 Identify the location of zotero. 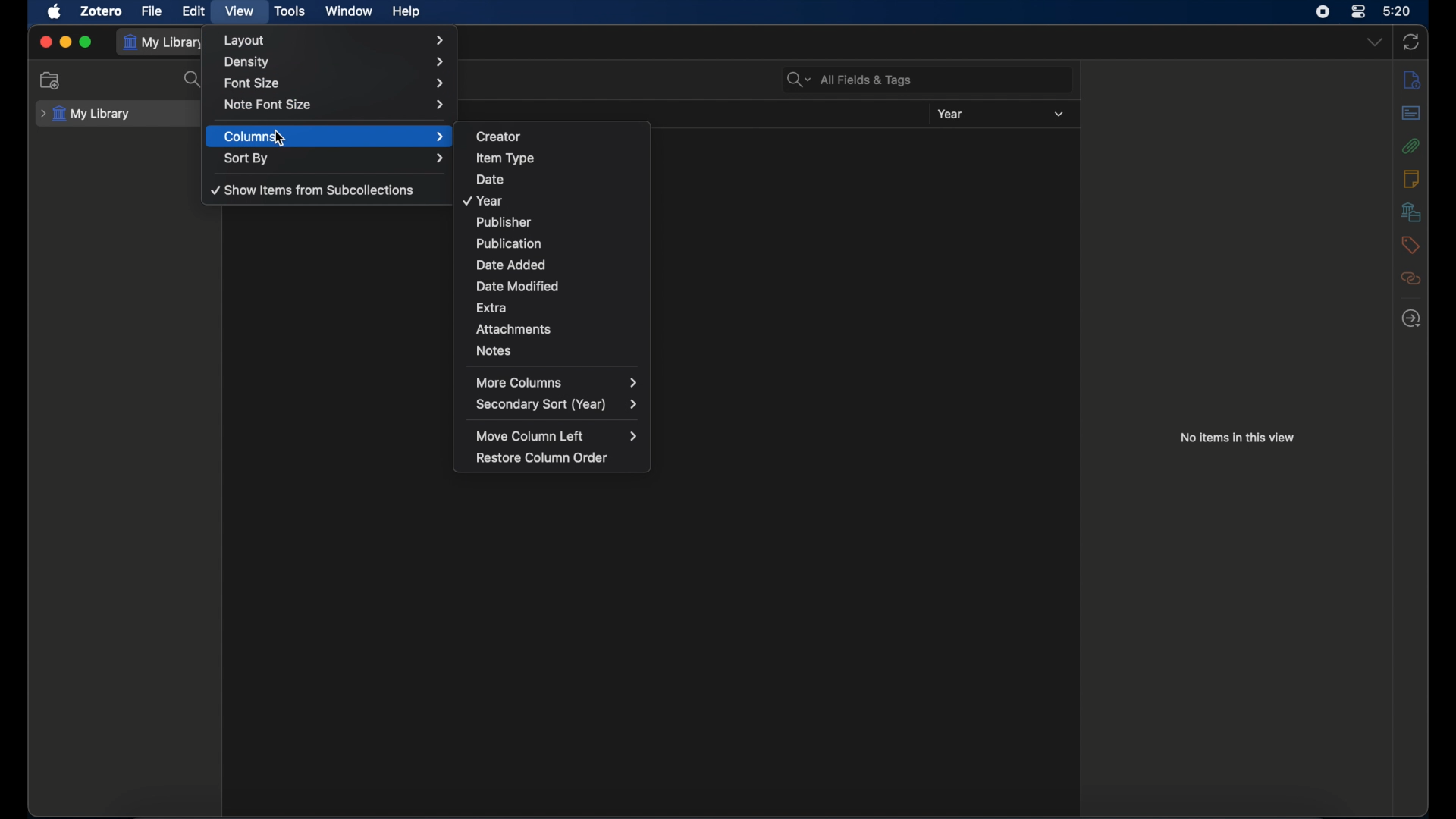
(102, 11).